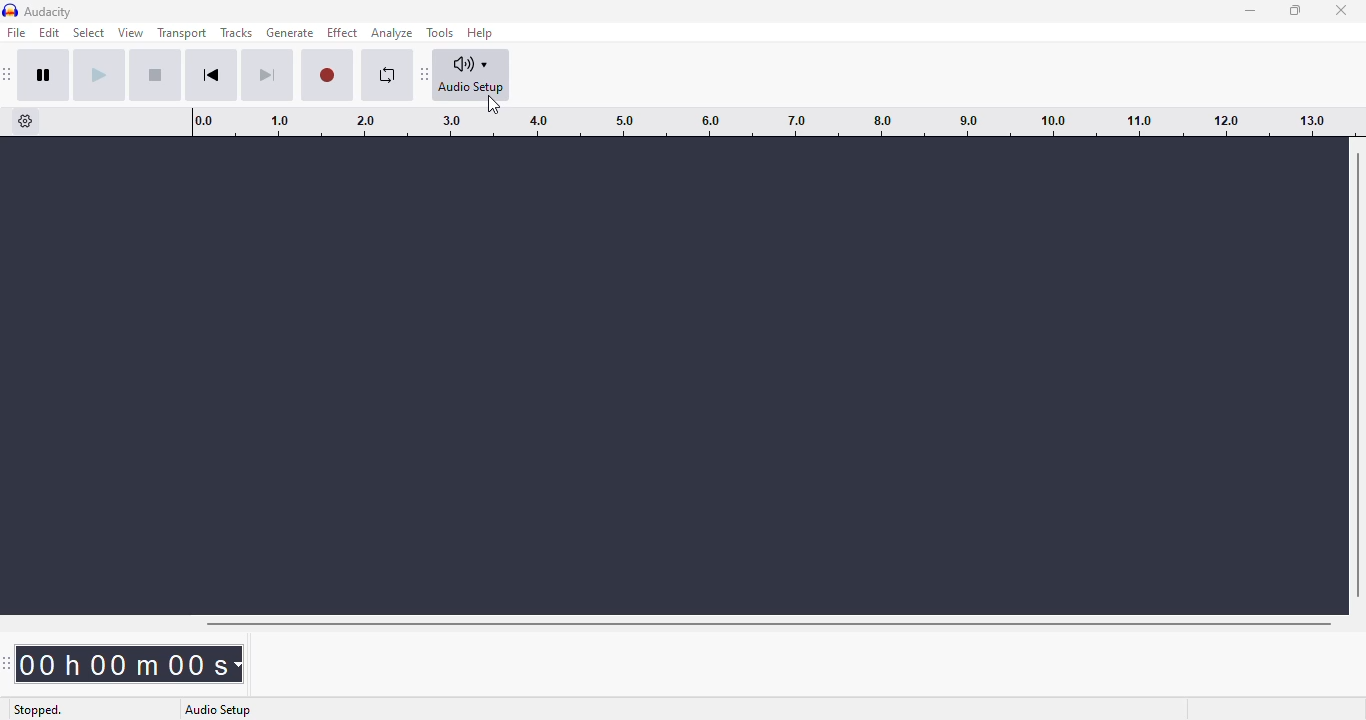  Describe the element at coordinates (211, 75) in the screenshot. I see `skip to start` at that location.